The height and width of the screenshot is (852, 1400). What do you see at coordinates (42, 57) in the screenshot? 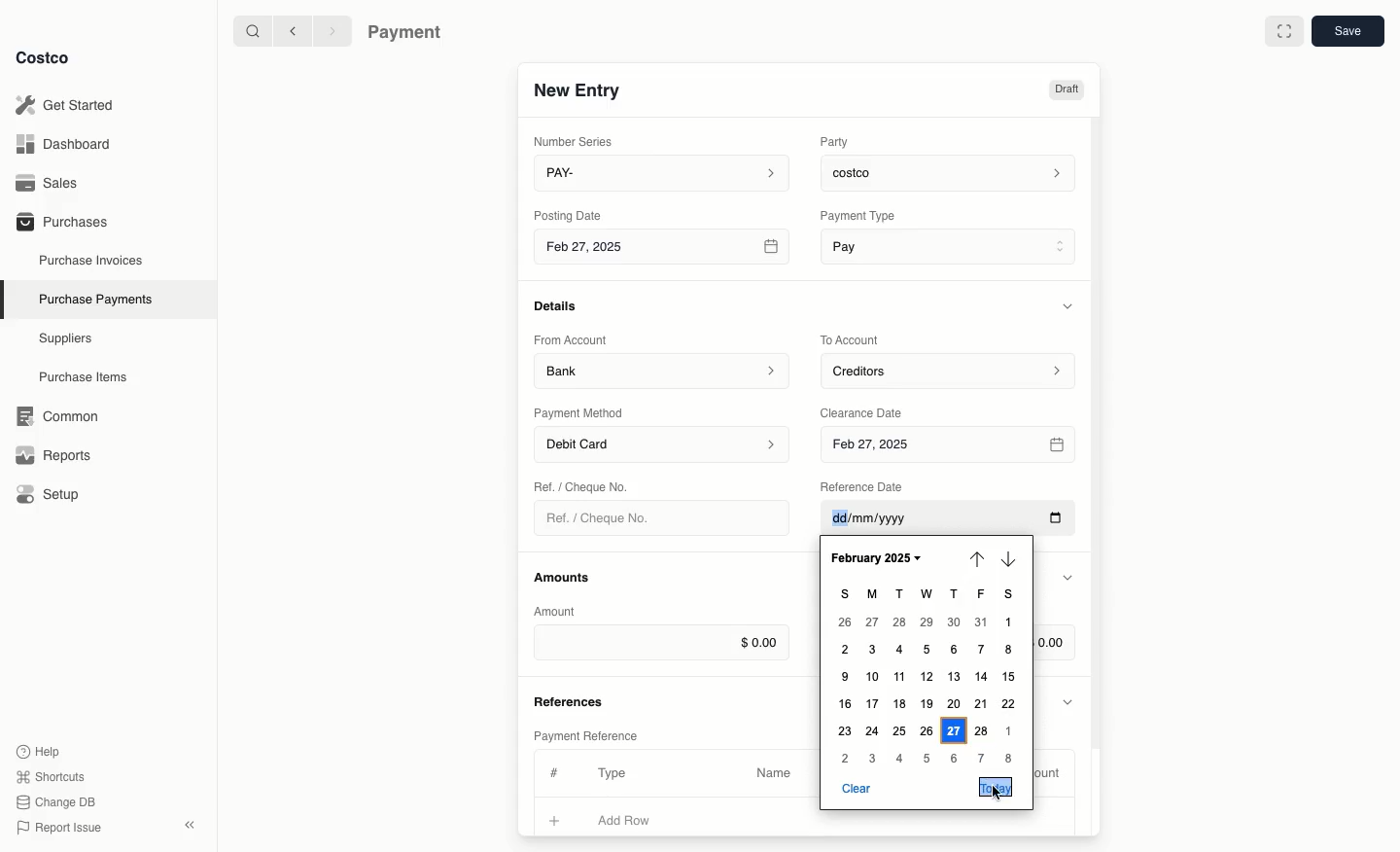
I see `Costco` at bounding box center [42, 57].